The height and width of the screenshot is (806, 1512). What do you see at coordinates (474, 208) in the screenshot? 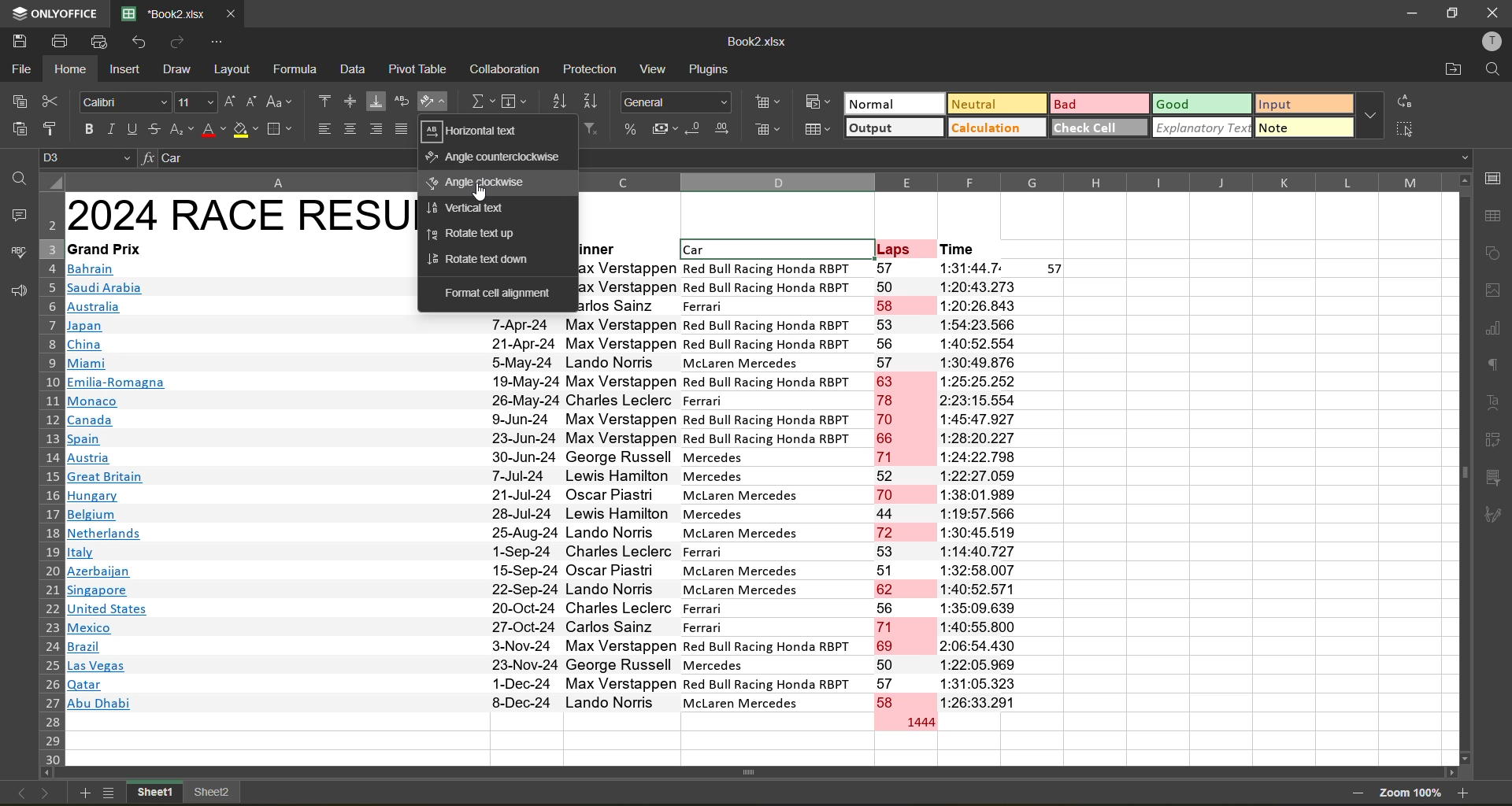
I see `vertical text` at bounding box center [474, 208].